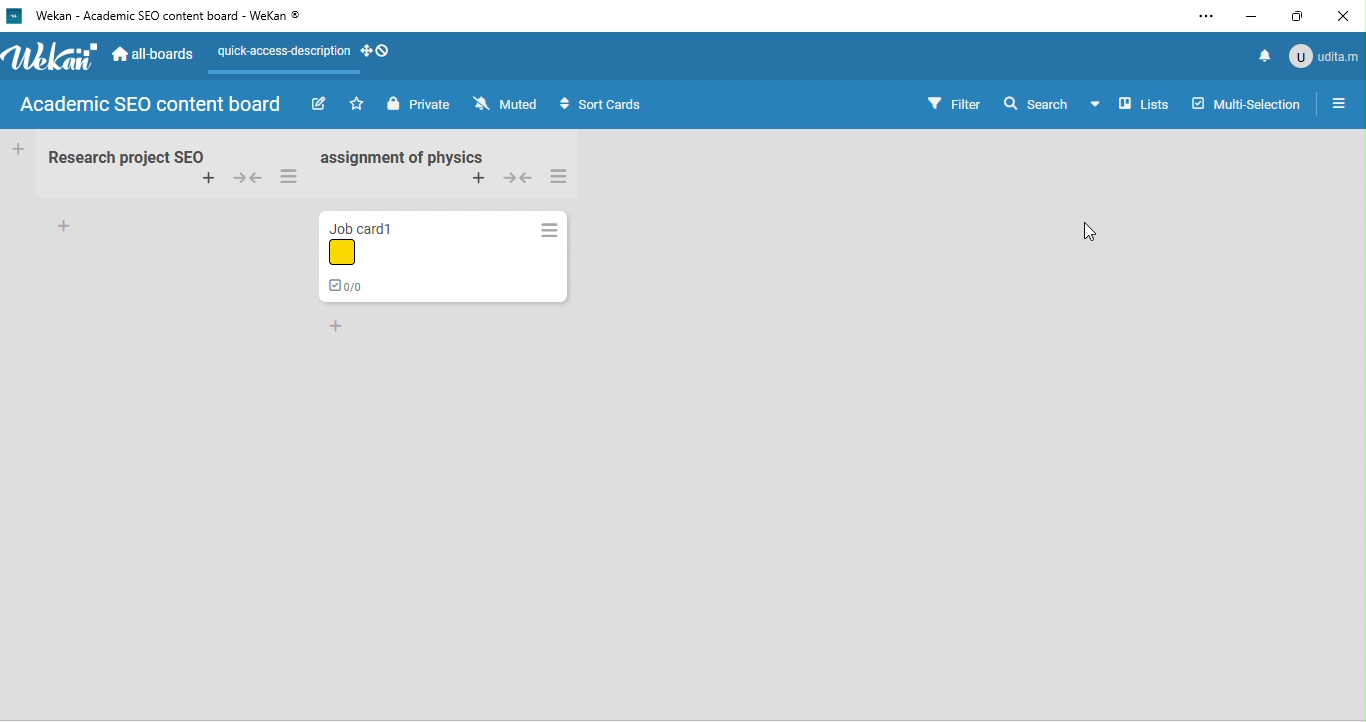 This screenshot has height=722, width=1366. I want to click on minimize, so click(1246, 18).